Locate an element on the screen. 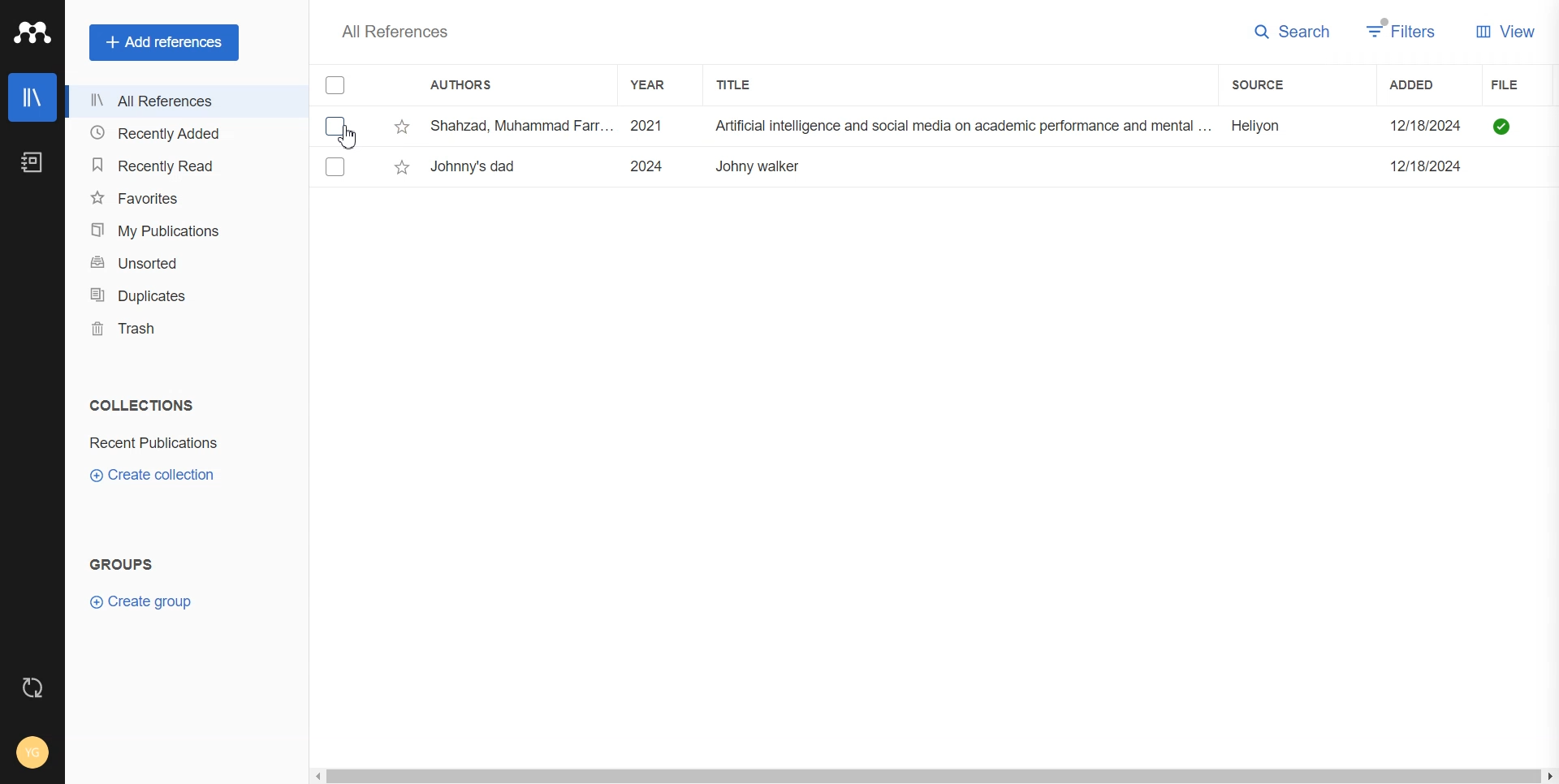 The image size is (1559, 784). Favorites is located at coordinates (182, 196).